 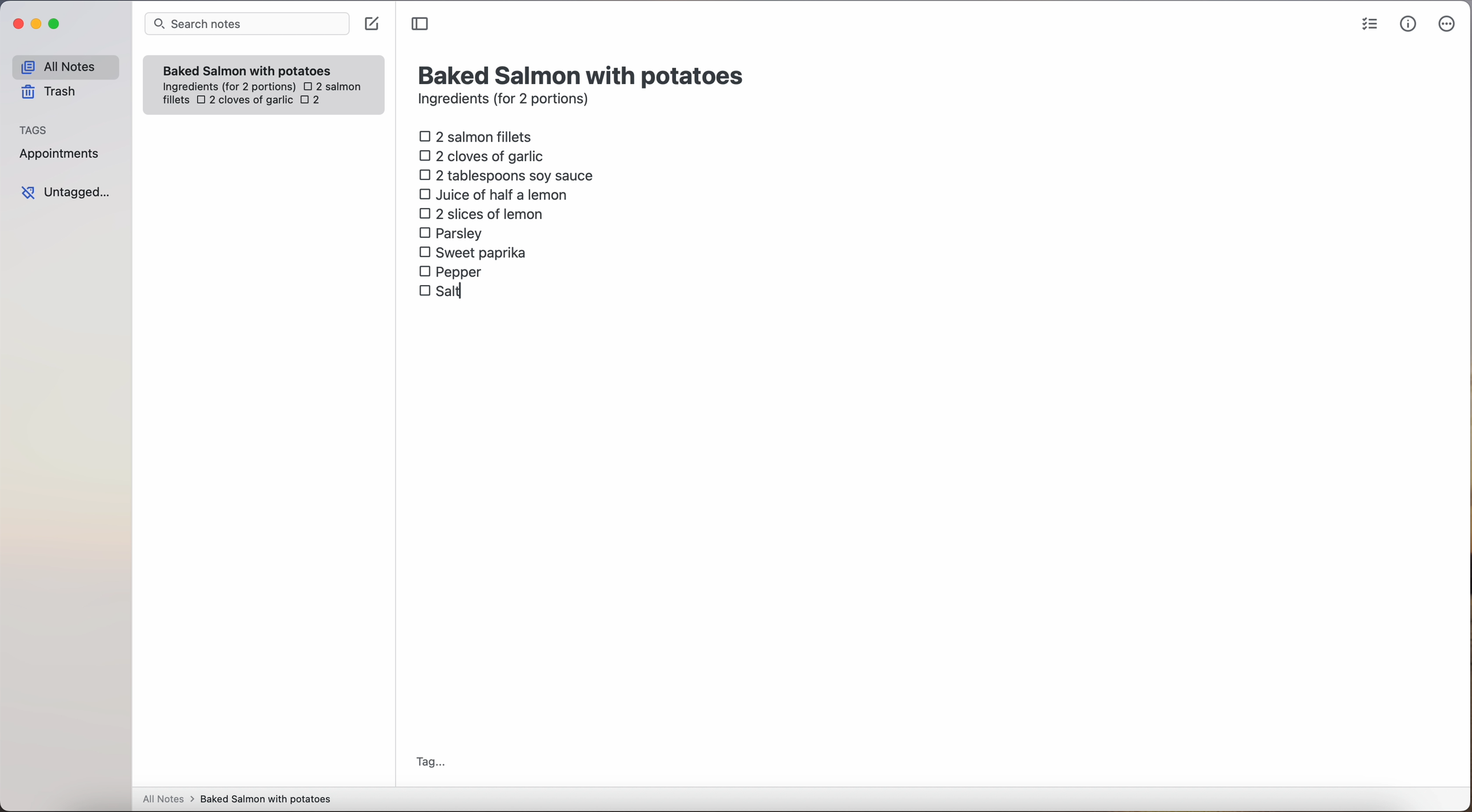 I want to click on 2 salmon, so click(x=331, y=85).